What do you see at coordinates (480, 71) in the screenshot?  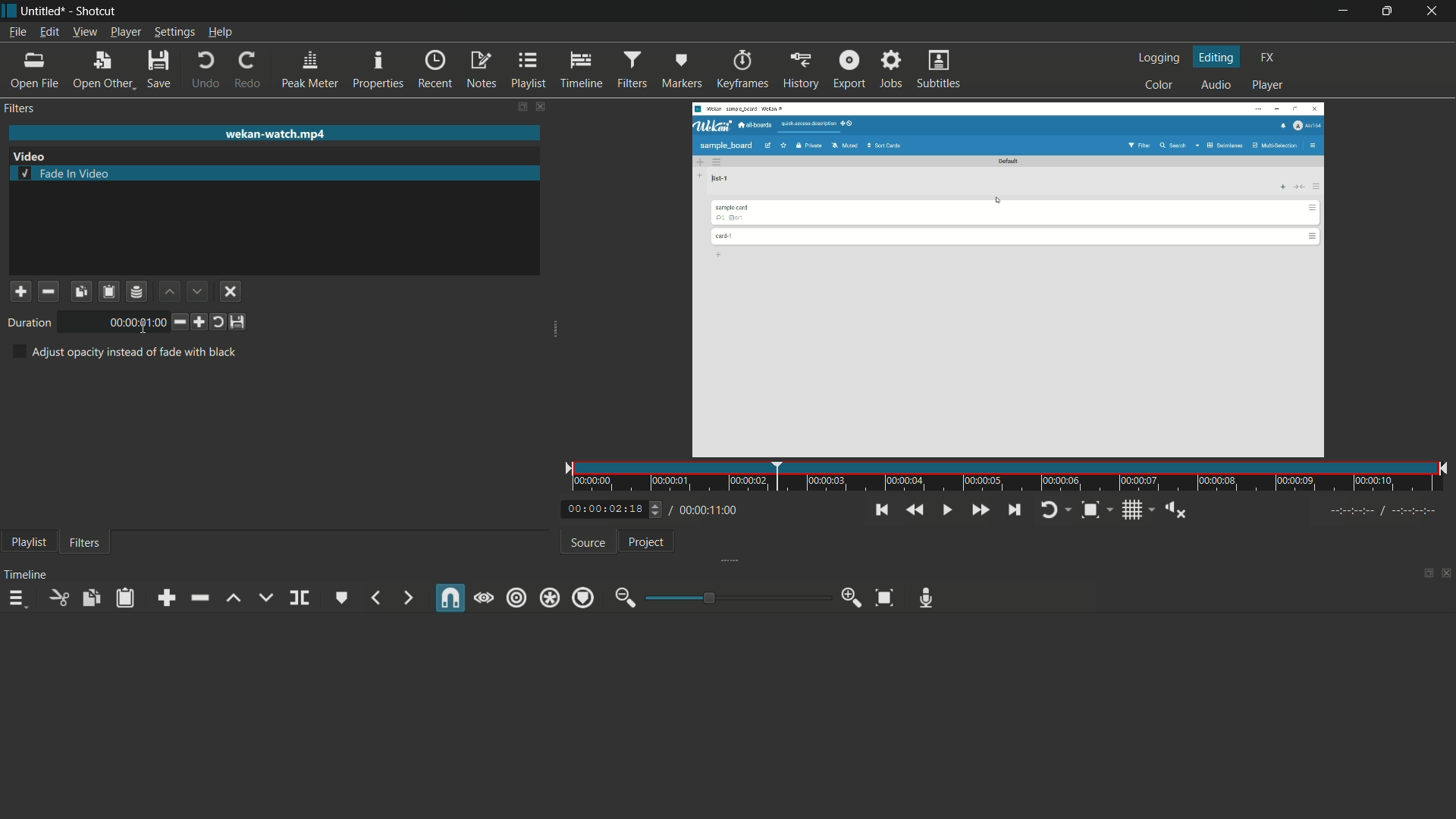 I see `notes` at bounding box center [480, 71].